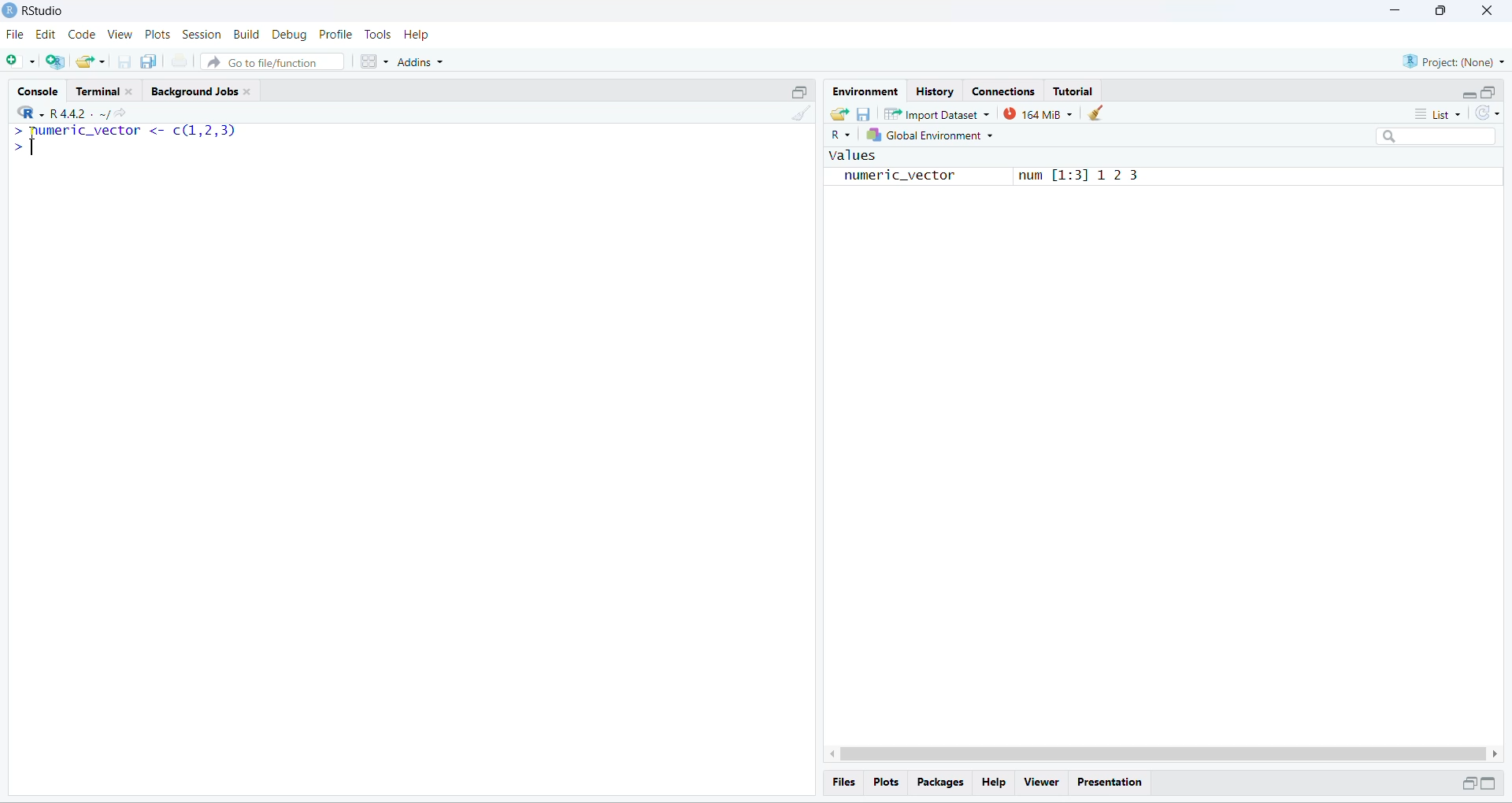 This screenshot has width=1512, height=803. Describe the element at coordinates (126, 131) in the screenshot. I see `numeric_vector <- c(1,2,3p` at that location.